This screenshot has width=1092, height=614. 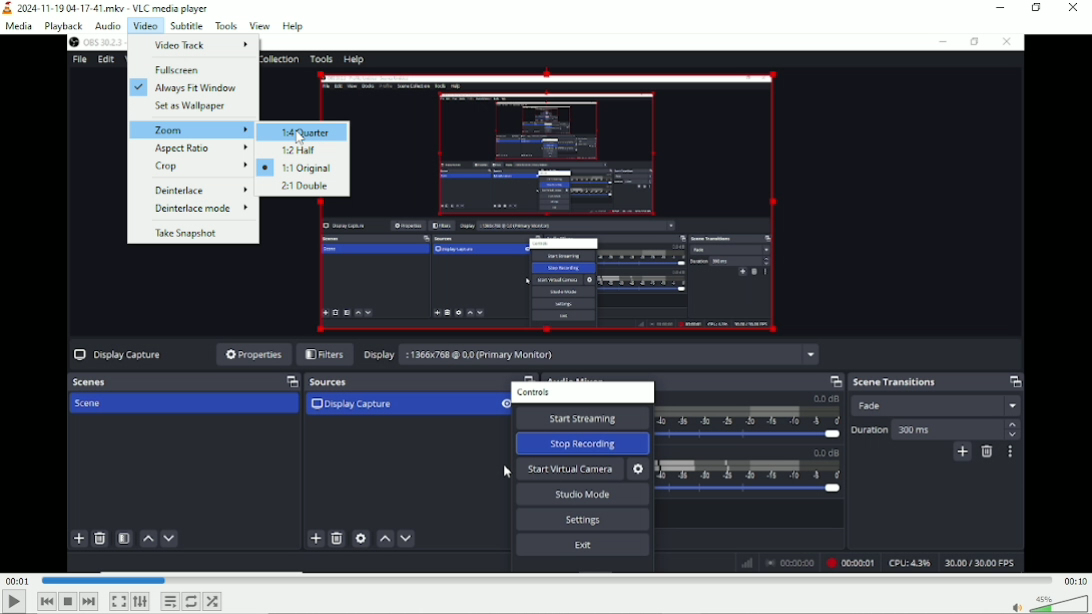 What do you see at coordinates (107, 9) in the screenshot?
I see `title` at bounding box center [107, 9].